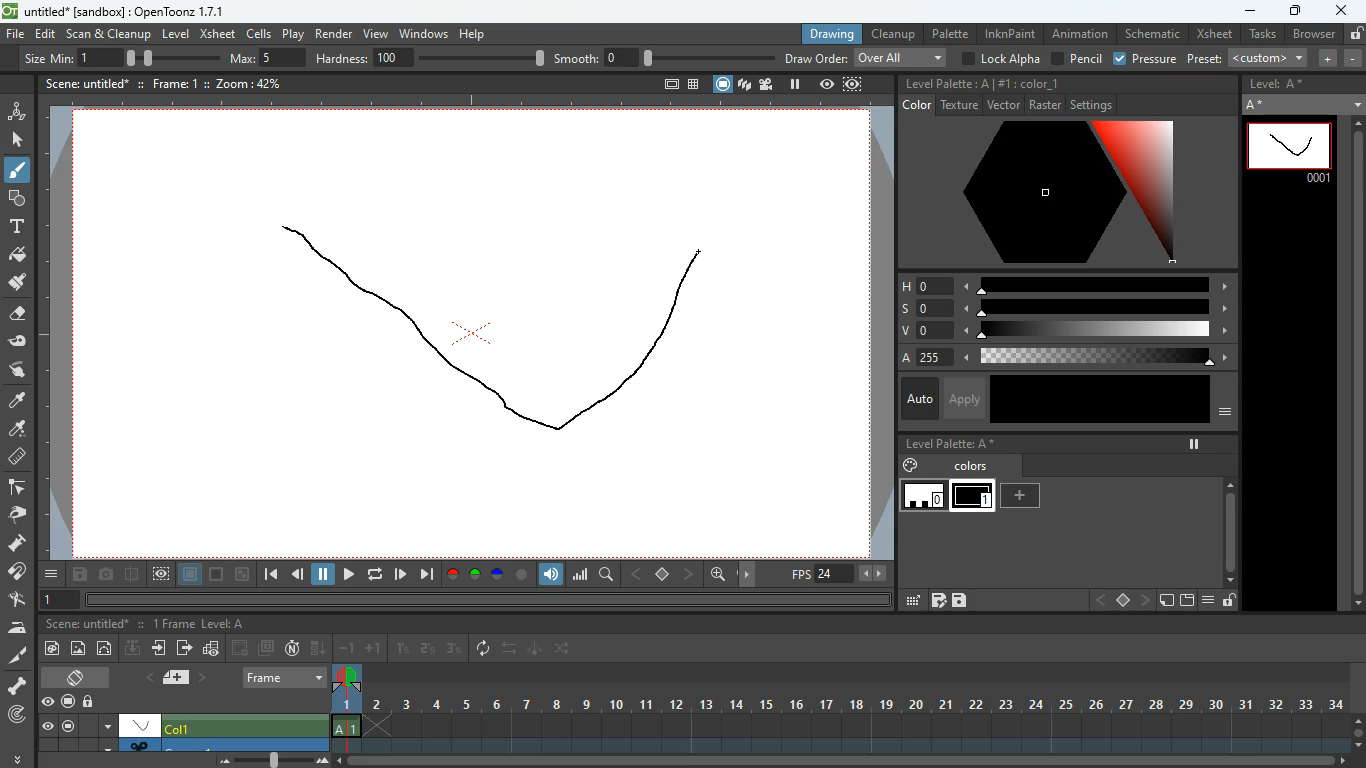 This screenshot has height=768, width=1366. I want to click on pick, so click(15, 515).